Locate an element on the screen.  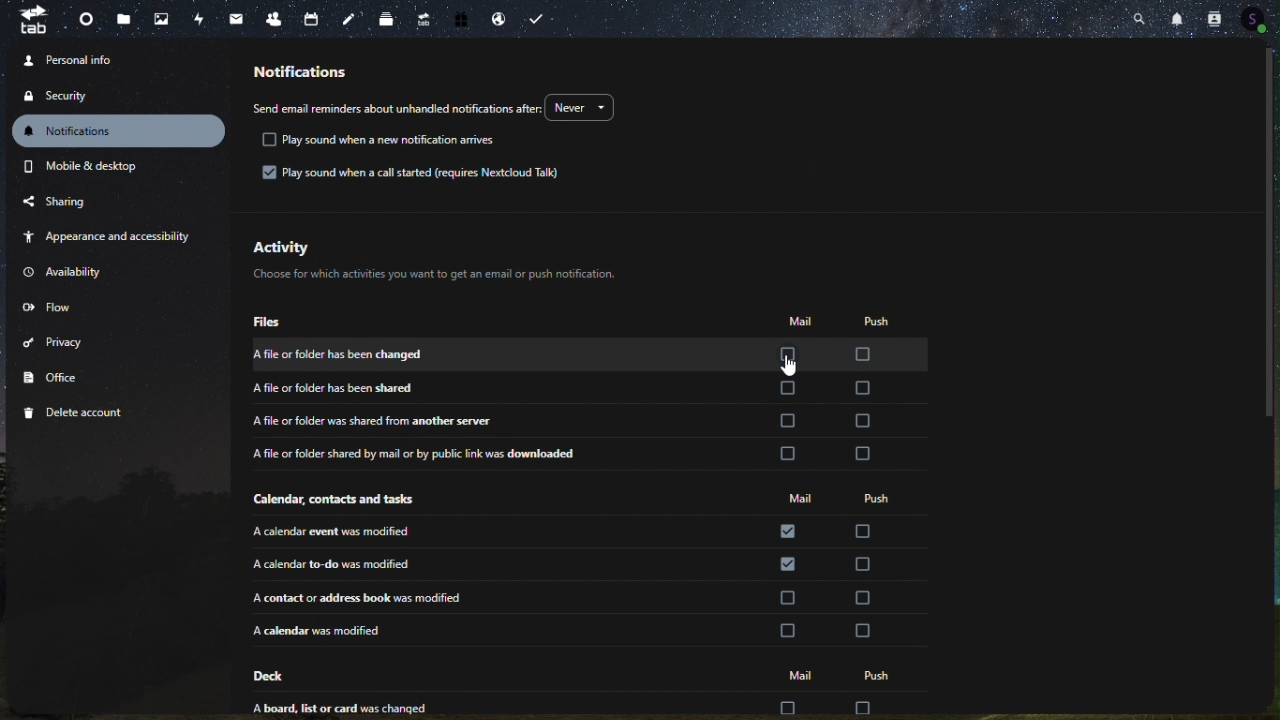
push is located at coordinates (883, 674).